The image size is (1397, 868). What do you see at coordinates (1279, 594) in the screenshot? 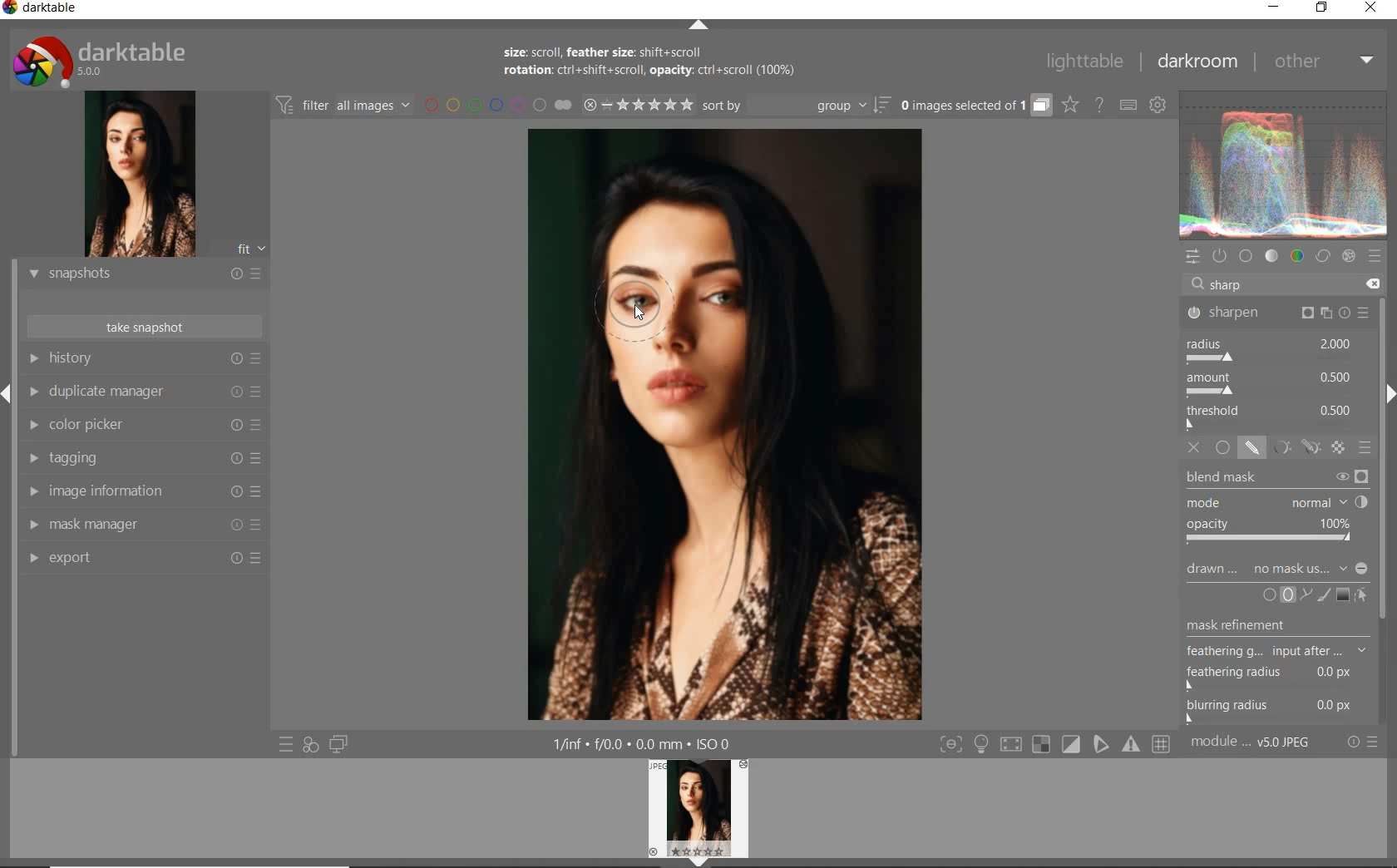
I see `add circle or ellipse` at bounding box center [1279, 594].